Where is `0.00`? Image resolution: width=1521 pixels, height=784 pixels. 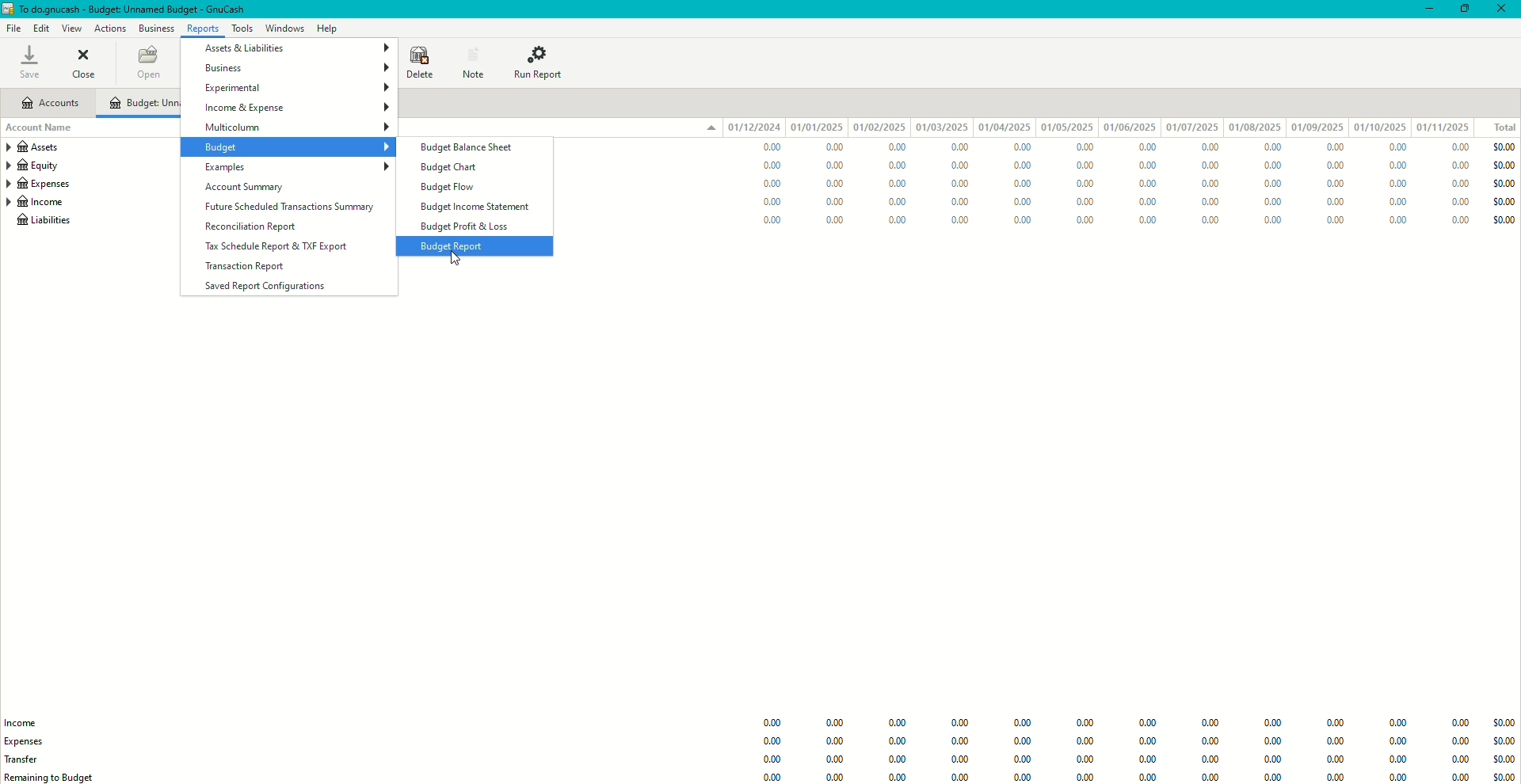
0.00 is located at coordinates (1149, 742).